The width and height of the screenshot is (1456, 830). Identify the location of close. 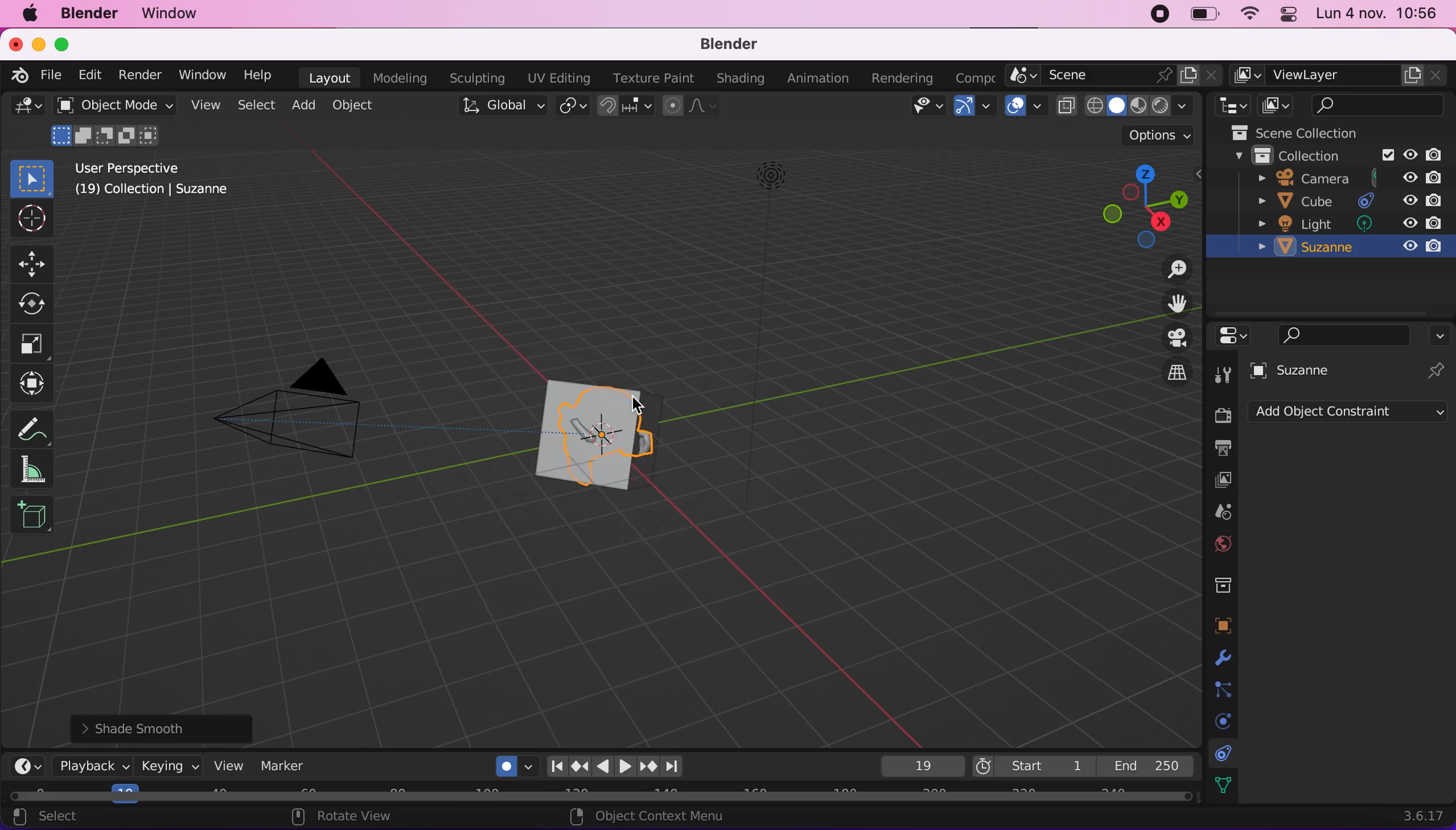
(15, 43).